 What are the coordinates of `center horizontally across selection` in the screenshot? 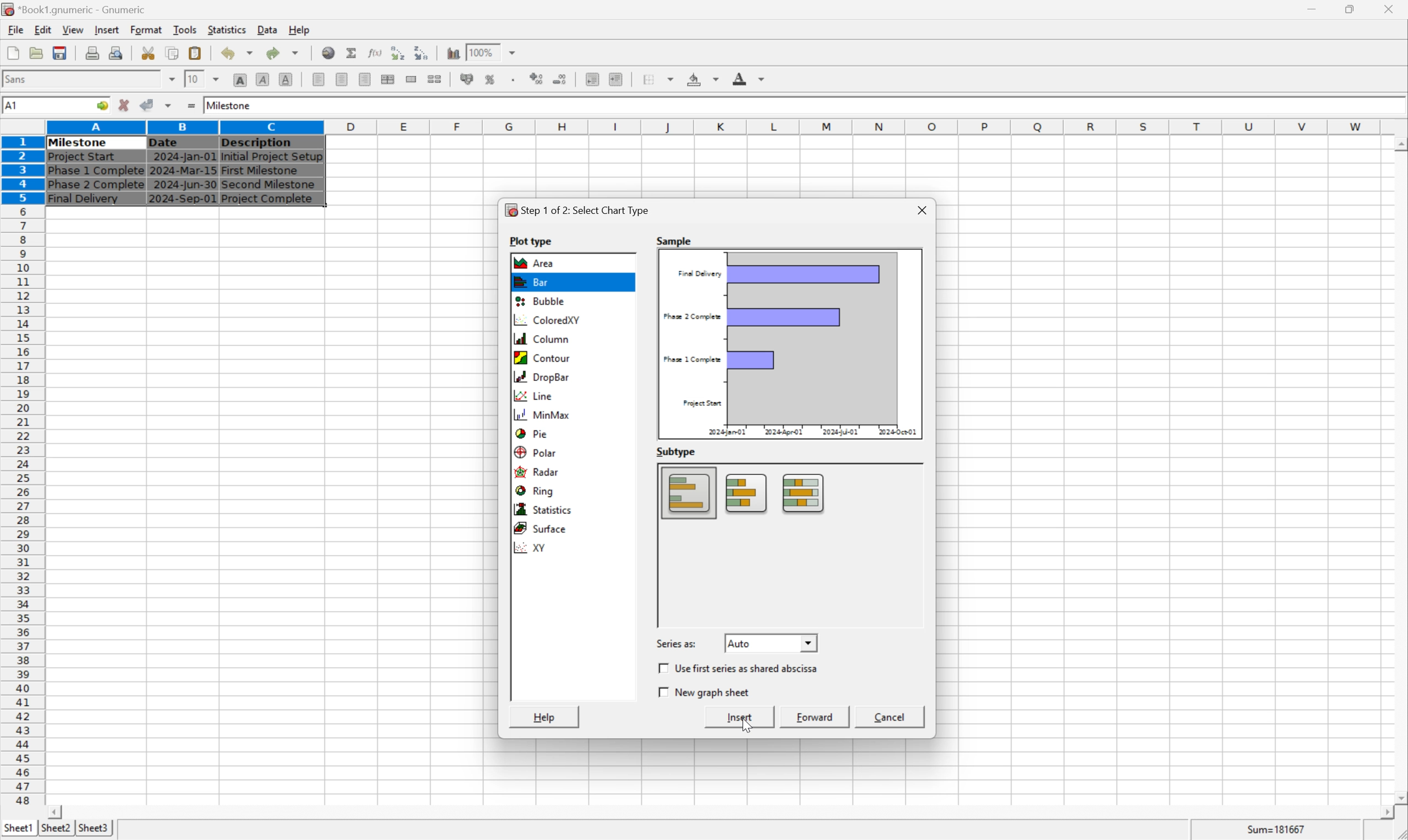 It's located at (388, 79).